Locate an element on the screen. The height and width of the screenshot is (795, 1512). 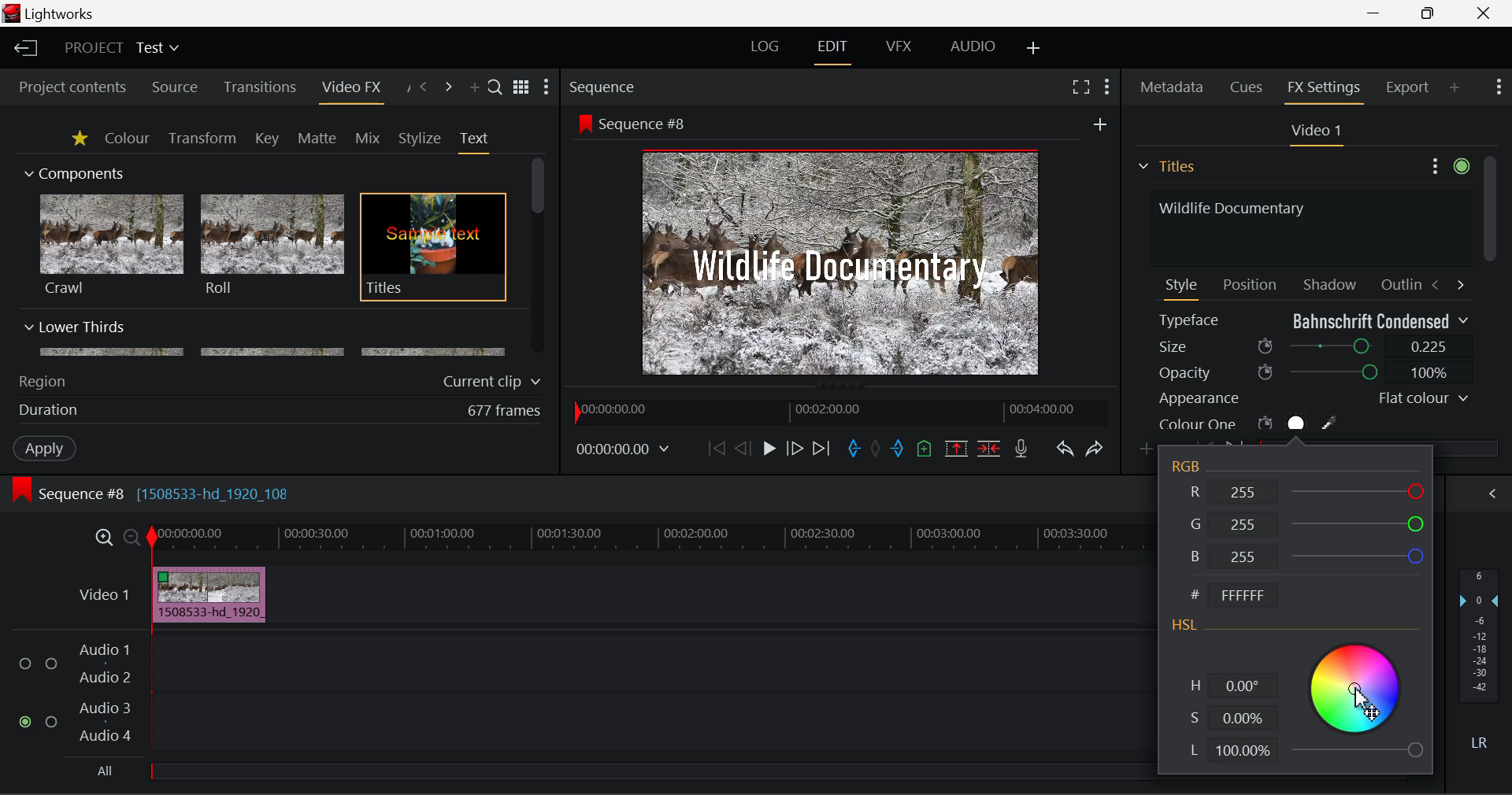
Zoom Out Timeline is located at coordinates (132, 539).